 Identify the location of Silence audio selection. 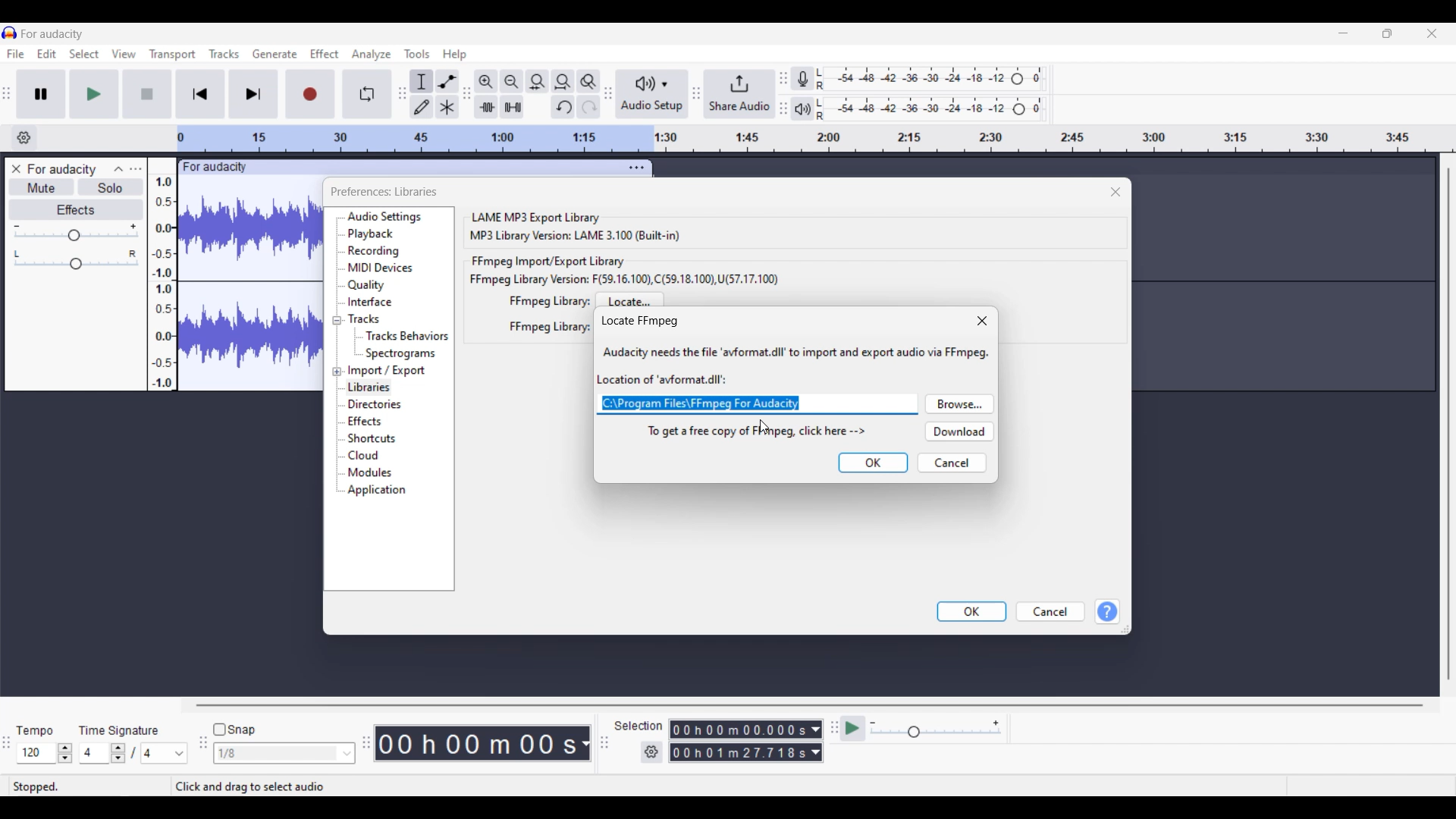
(512, 107).